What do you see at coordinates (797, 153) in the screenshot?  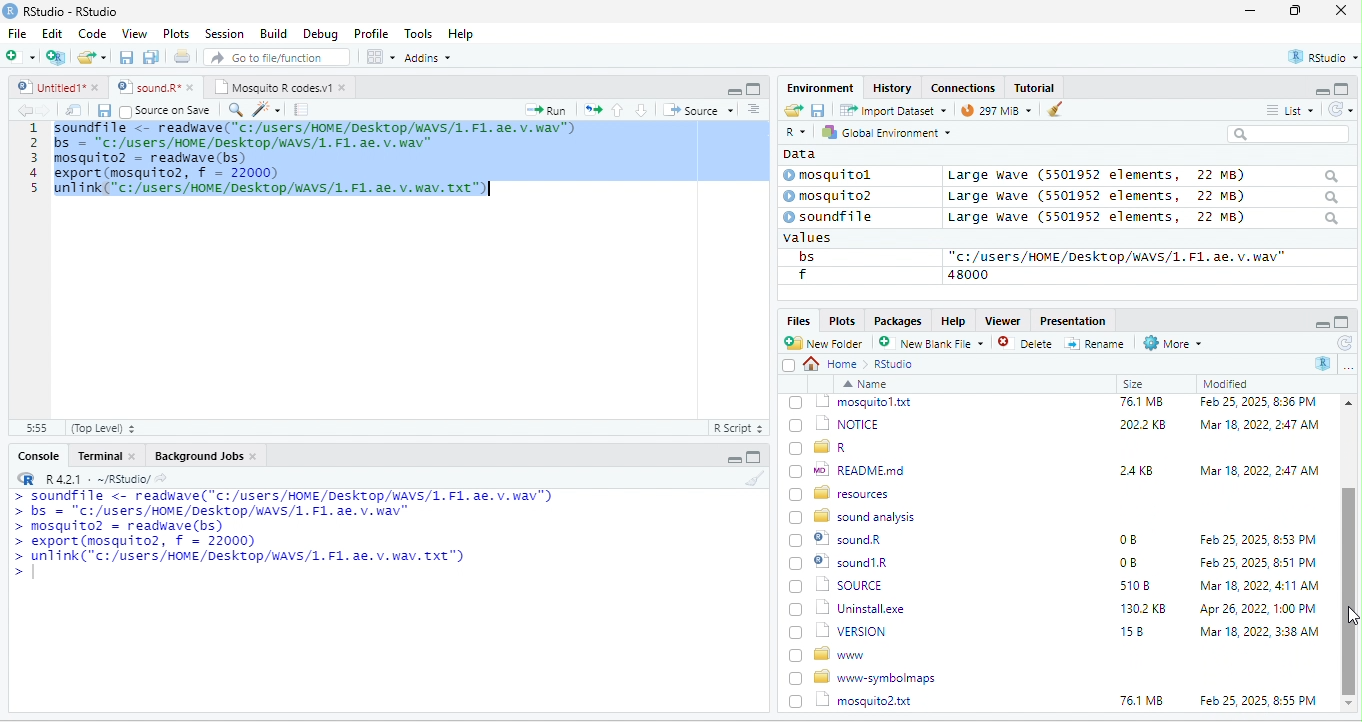 I see `data` at bounding box center [797, 153].